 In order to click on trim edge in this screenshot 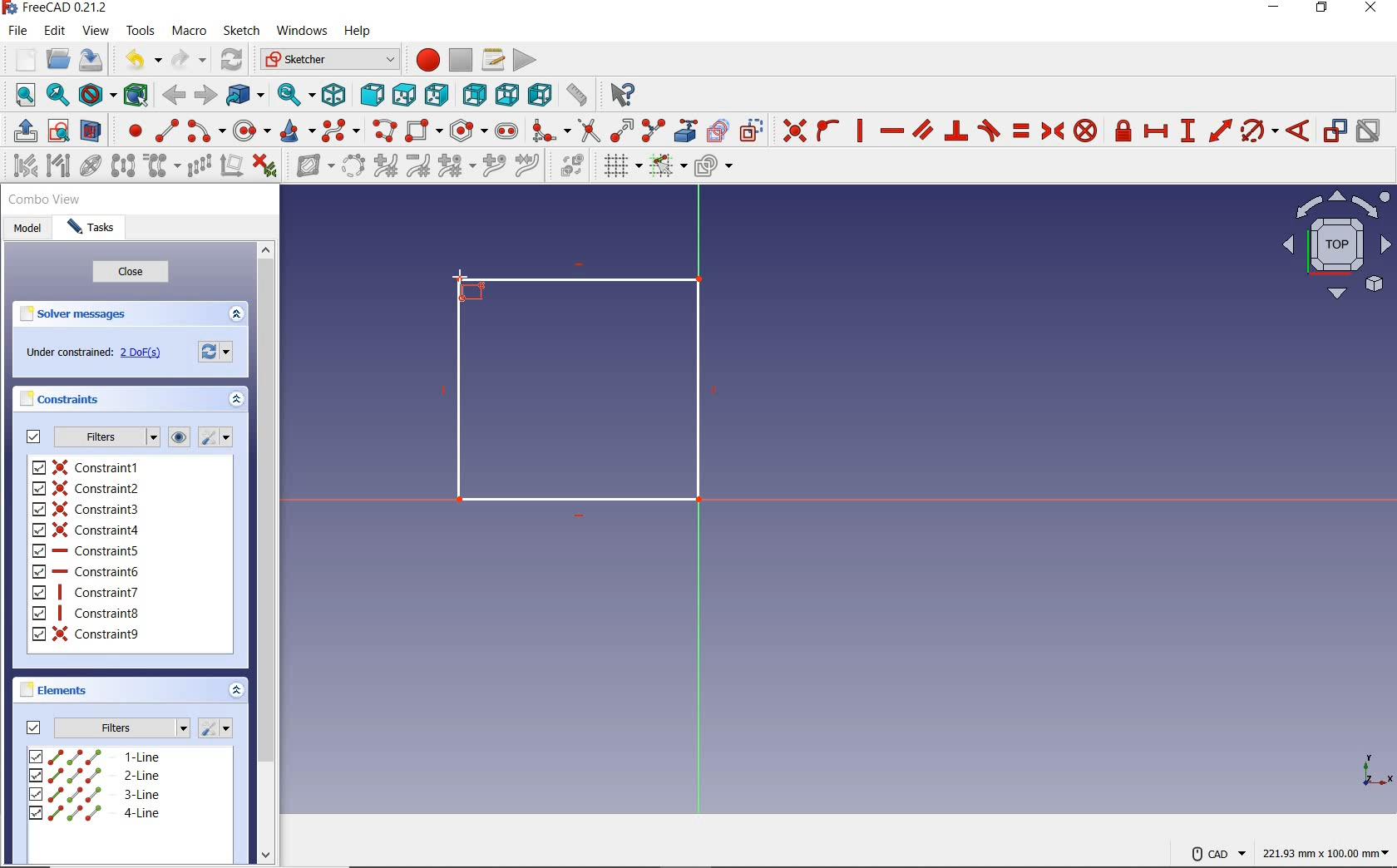, I will do `click(588, 131)`.